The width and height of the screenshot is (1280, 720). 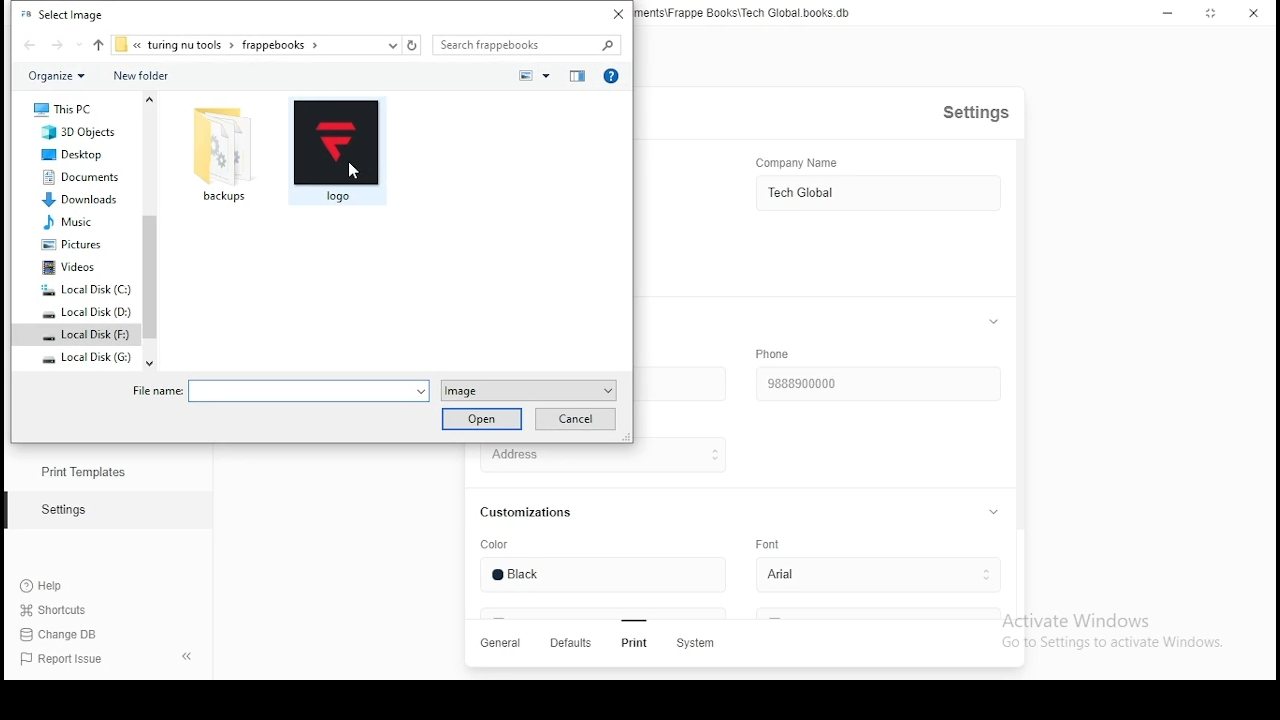 What do you see at coordinates (76, 267) in the screenshot?
I see `Videos ` at bounding box center [76, 267].